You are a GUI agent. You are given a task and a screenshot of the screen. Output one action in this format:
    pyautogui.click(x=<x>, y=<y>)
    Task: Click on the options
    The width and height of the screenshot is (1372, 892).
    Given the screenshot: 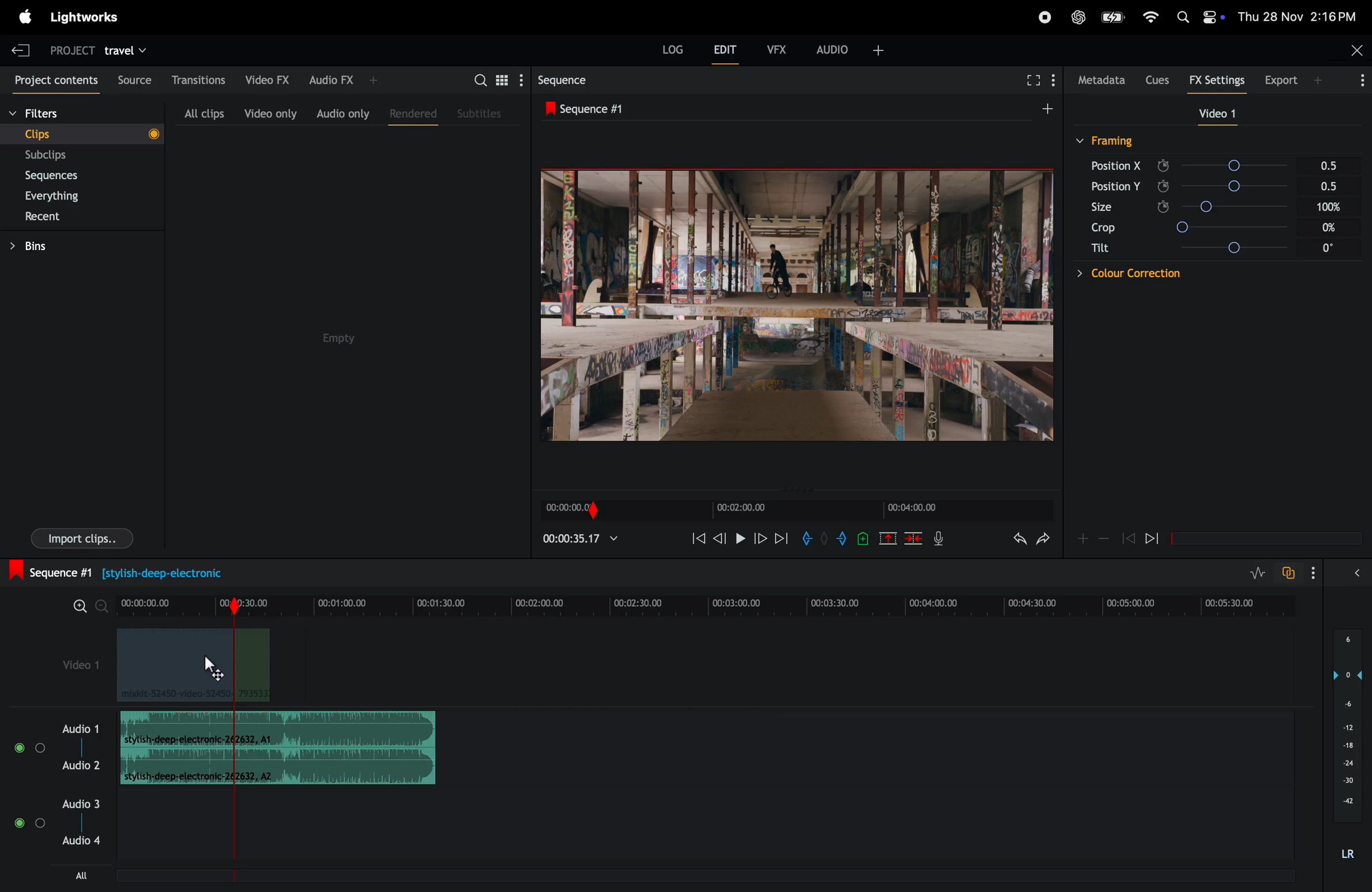 What is the action you would take?
    pyautogui.click(x=1360, y=572)
    